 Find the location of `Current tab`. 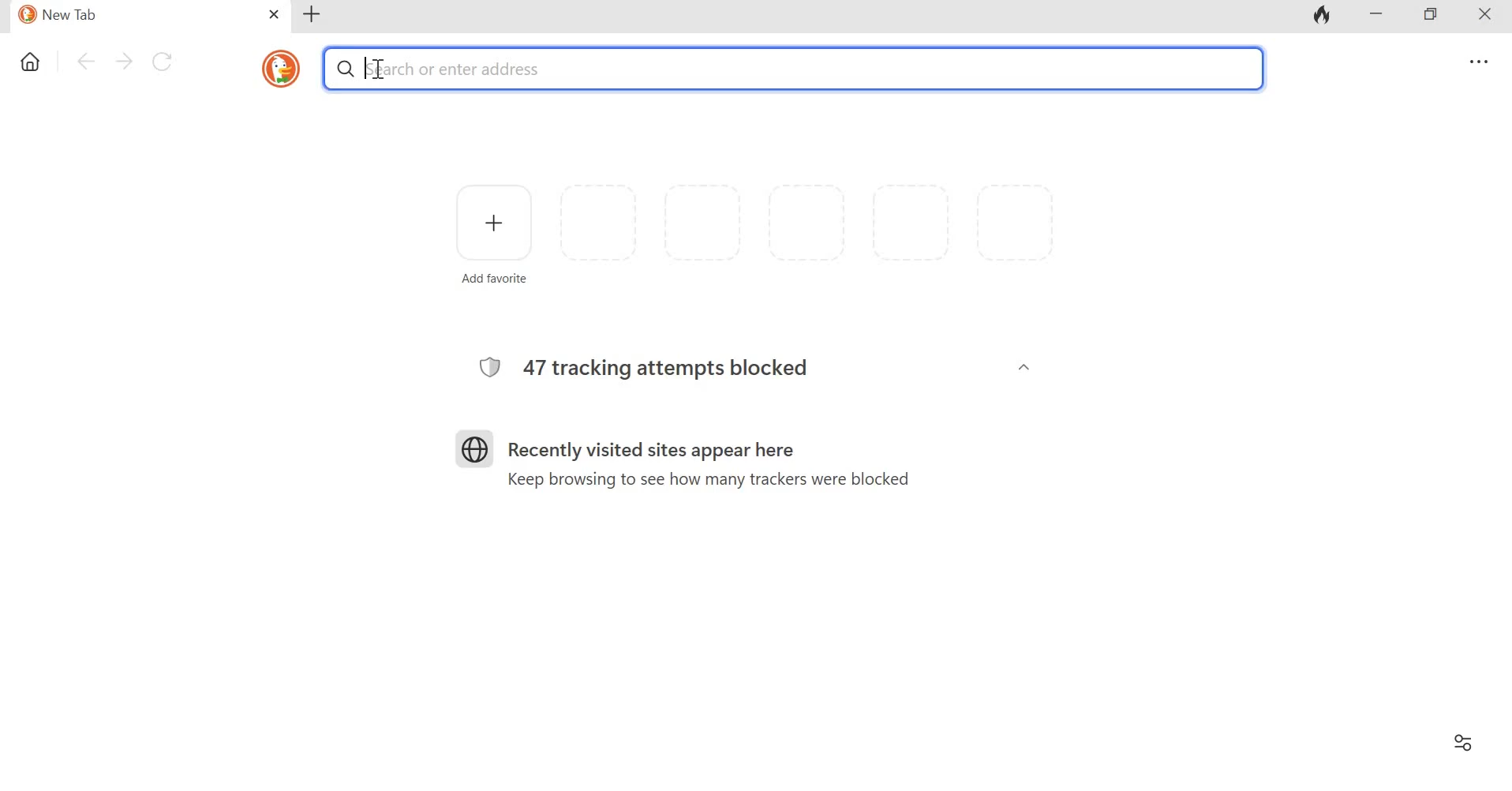

Current tab is located at coordinates (131, 16).